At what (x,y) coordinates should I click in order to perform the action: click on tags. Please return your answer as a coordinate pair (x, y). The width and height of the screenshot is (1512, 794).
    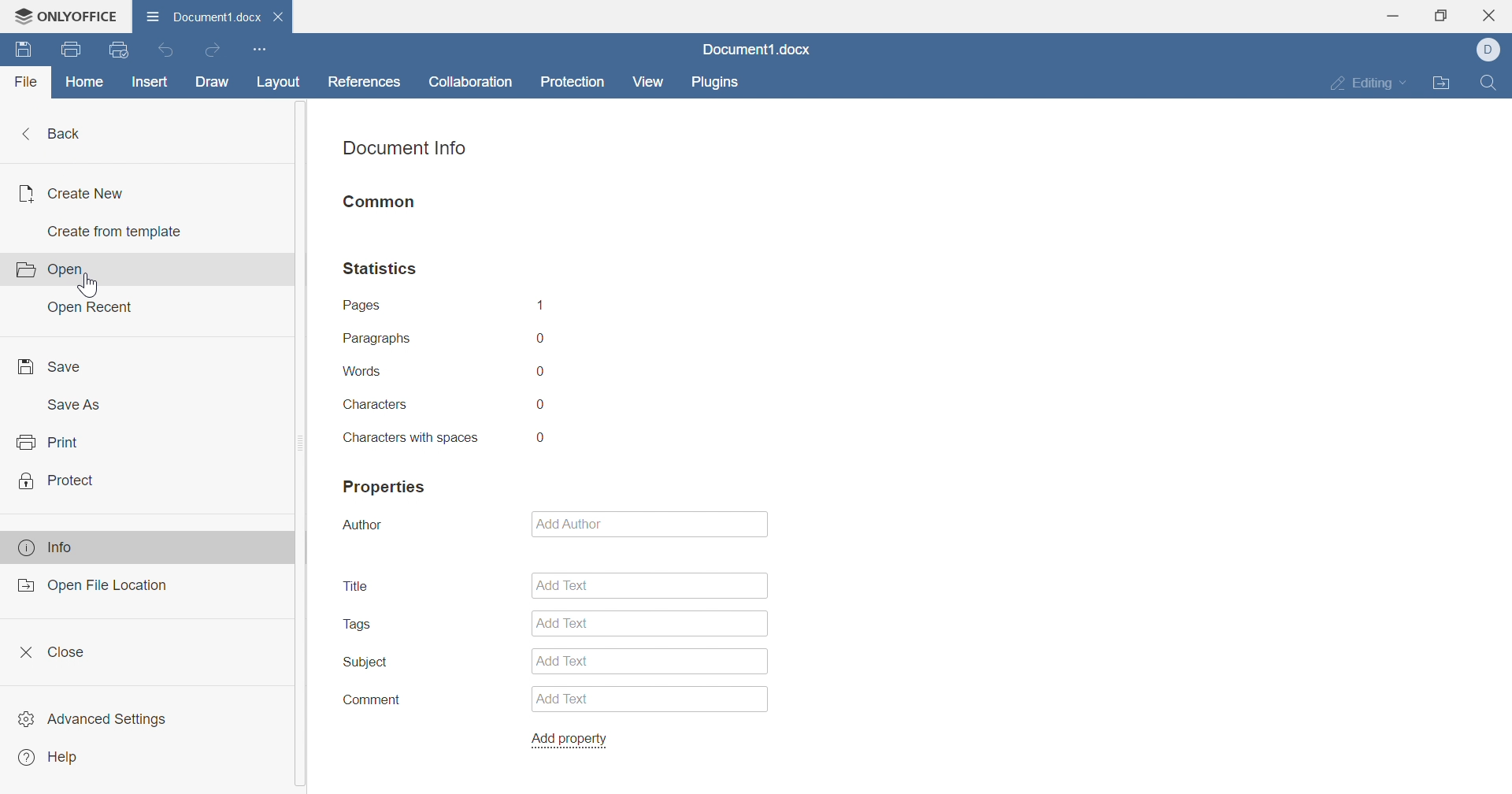
    Looking at the image, I should click on (358, 623).